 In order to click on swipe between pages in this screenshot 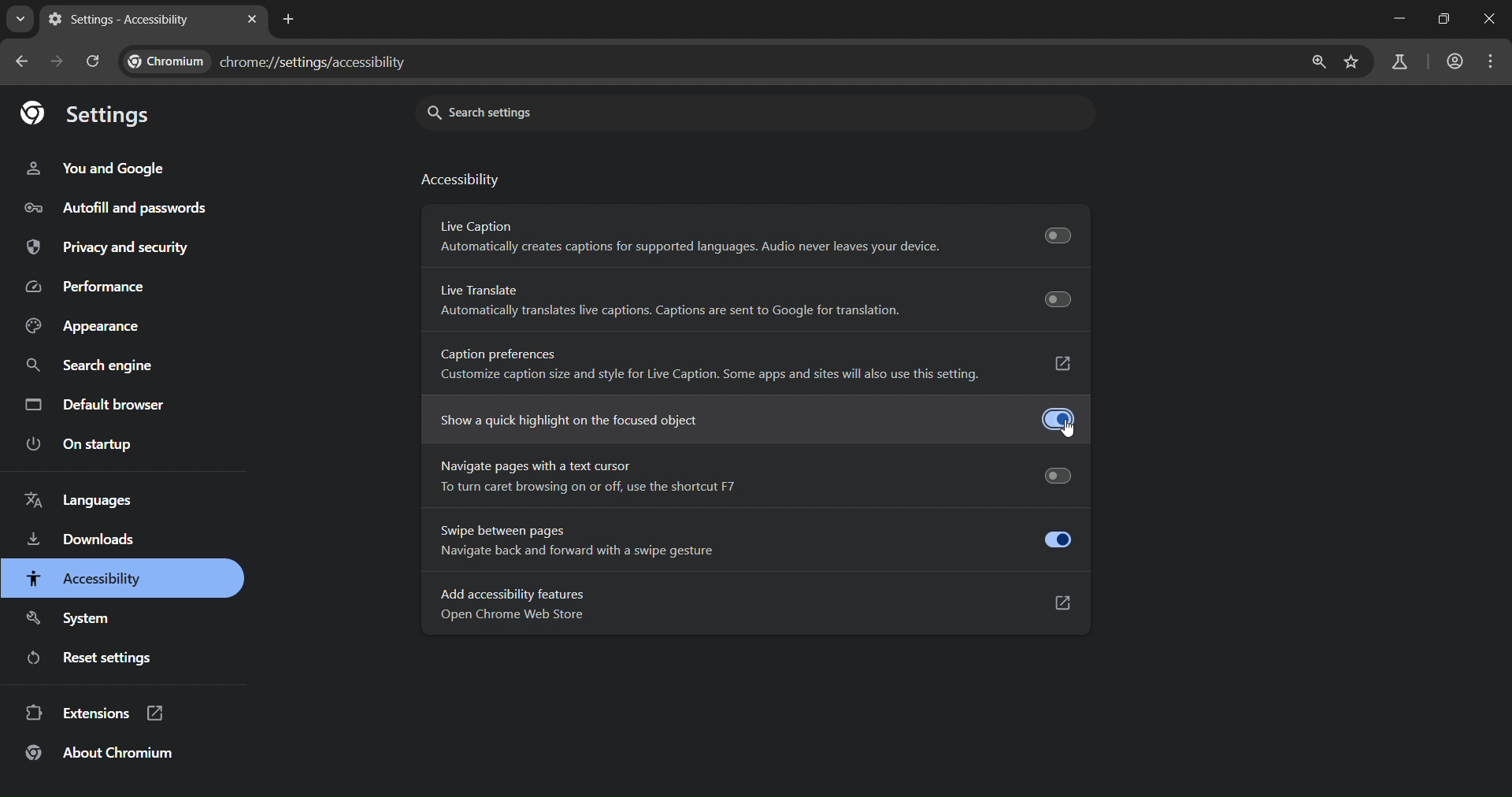, I will do `click(598, 541)`.